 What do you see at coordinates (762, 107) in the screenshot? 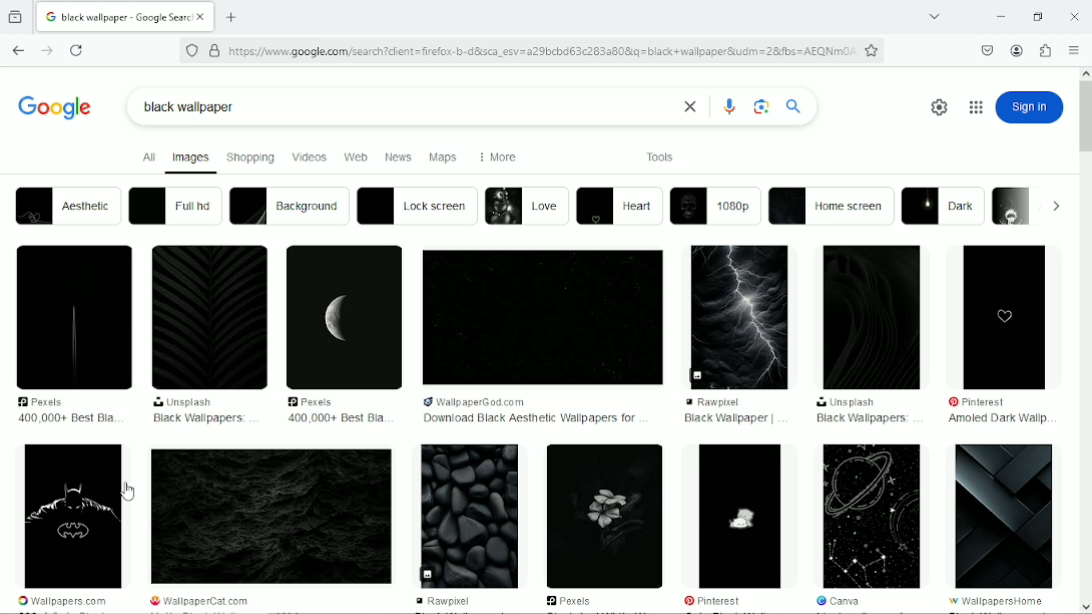
I see `search by image` at bounding box center [762, 107].